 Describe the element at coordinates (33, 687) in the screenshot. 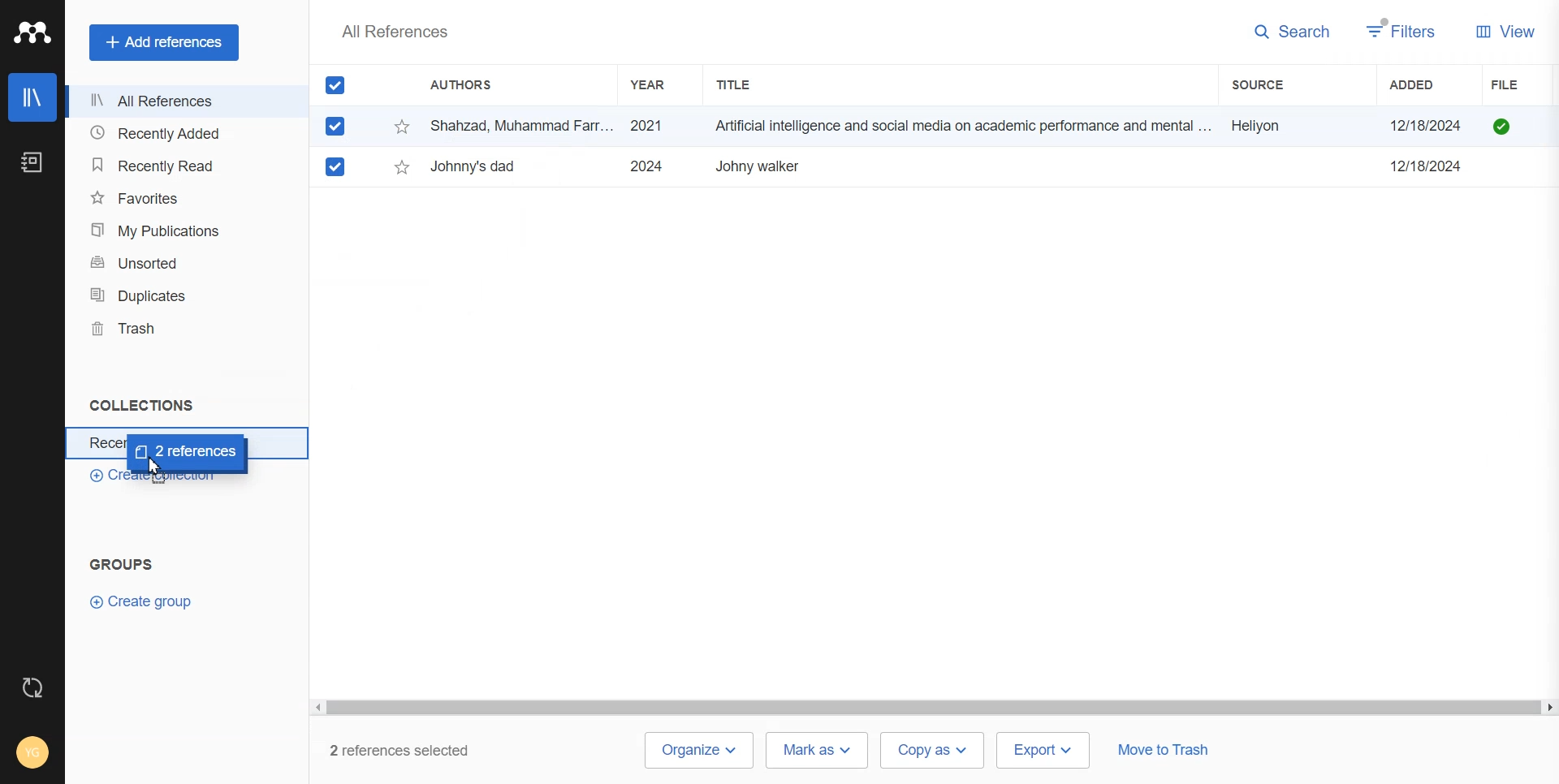

I see `Auto Sync` at that location.